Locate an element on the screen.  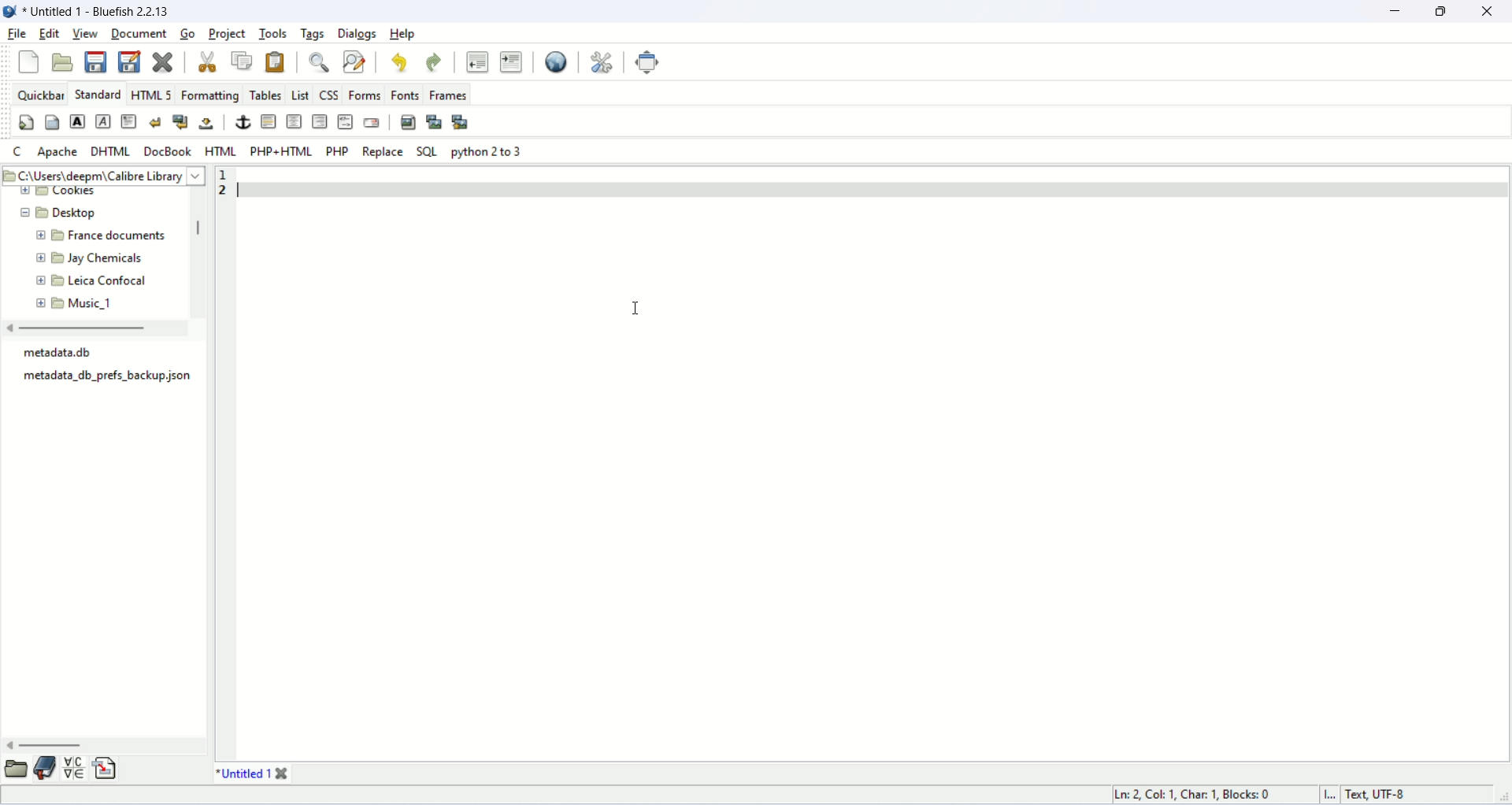
right justify is located at coordinates (319, 121).